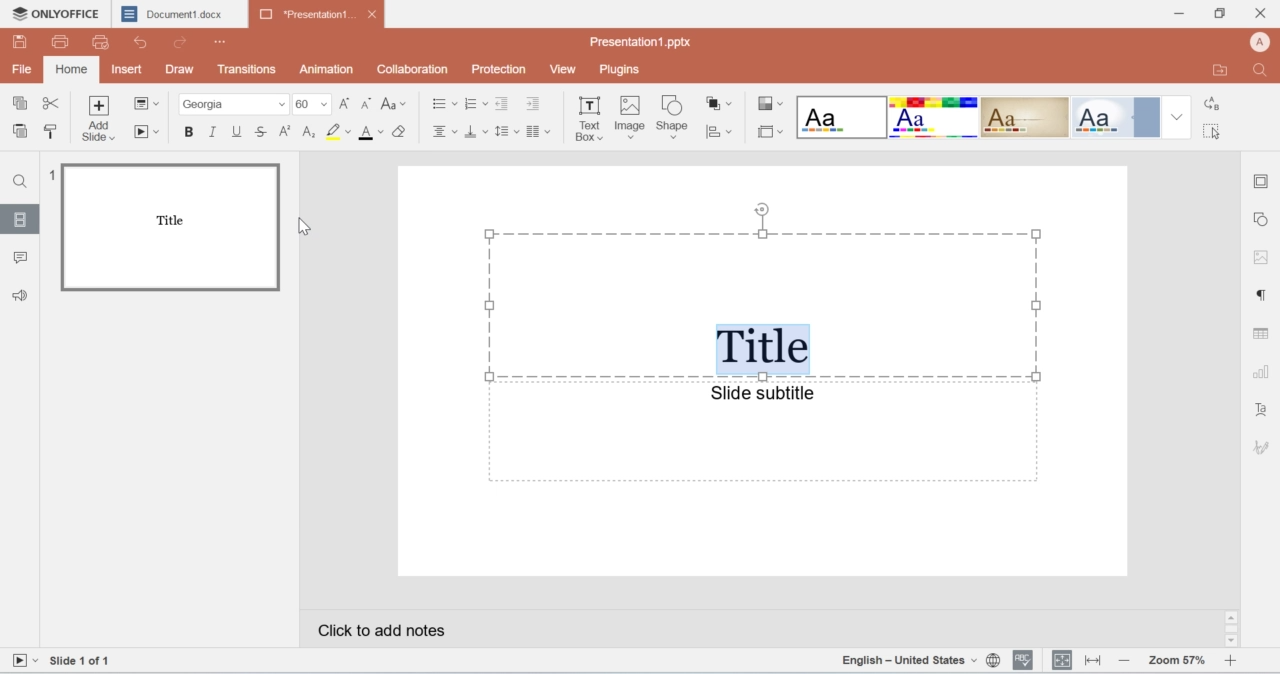  Describe the element at coordinates (24, 661) in the screenshot. I see `video button` at that location.